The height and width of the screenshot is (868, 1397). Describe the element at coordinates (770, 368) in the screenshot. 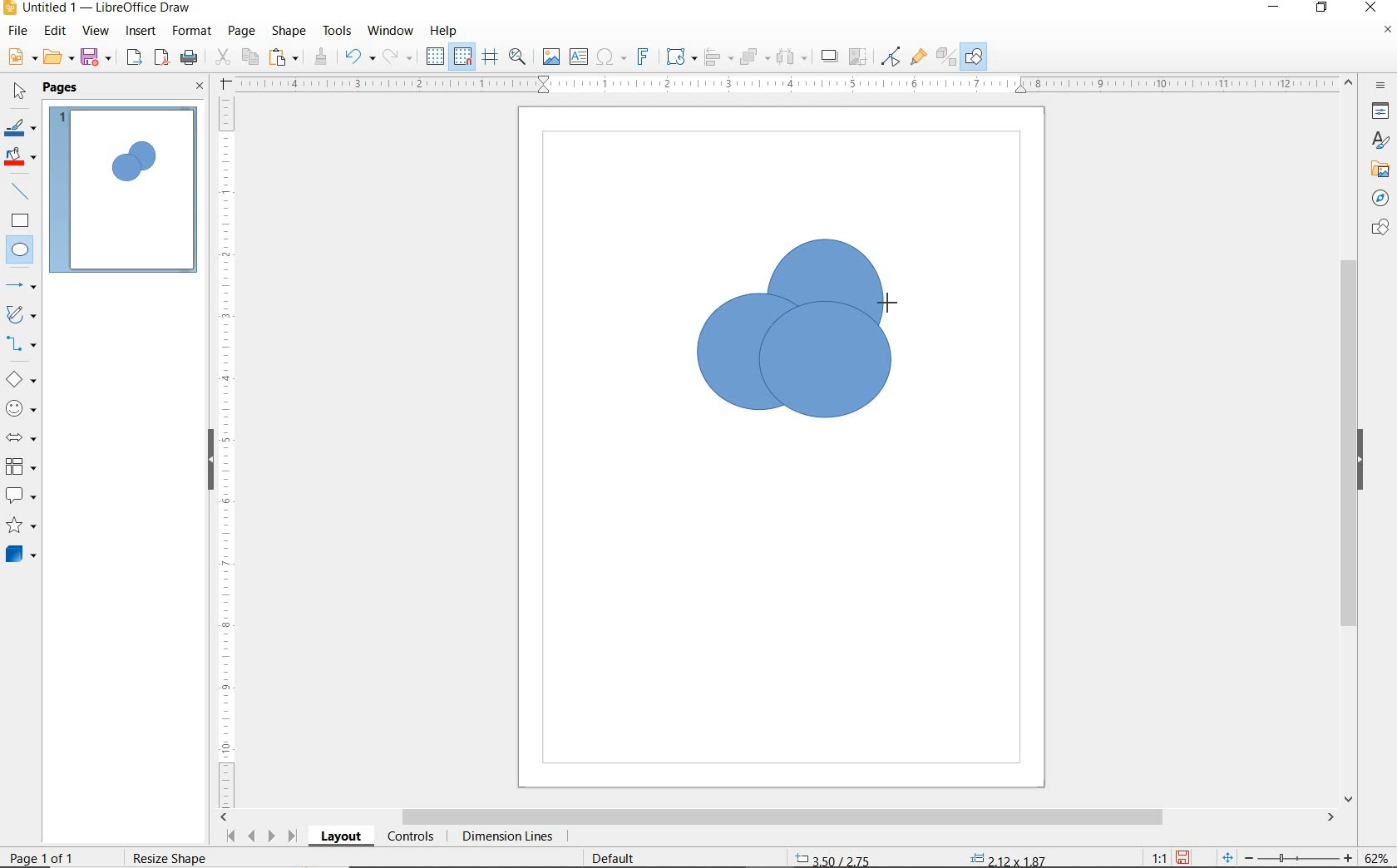

I see `ELLIPSE TOOL` at that location.